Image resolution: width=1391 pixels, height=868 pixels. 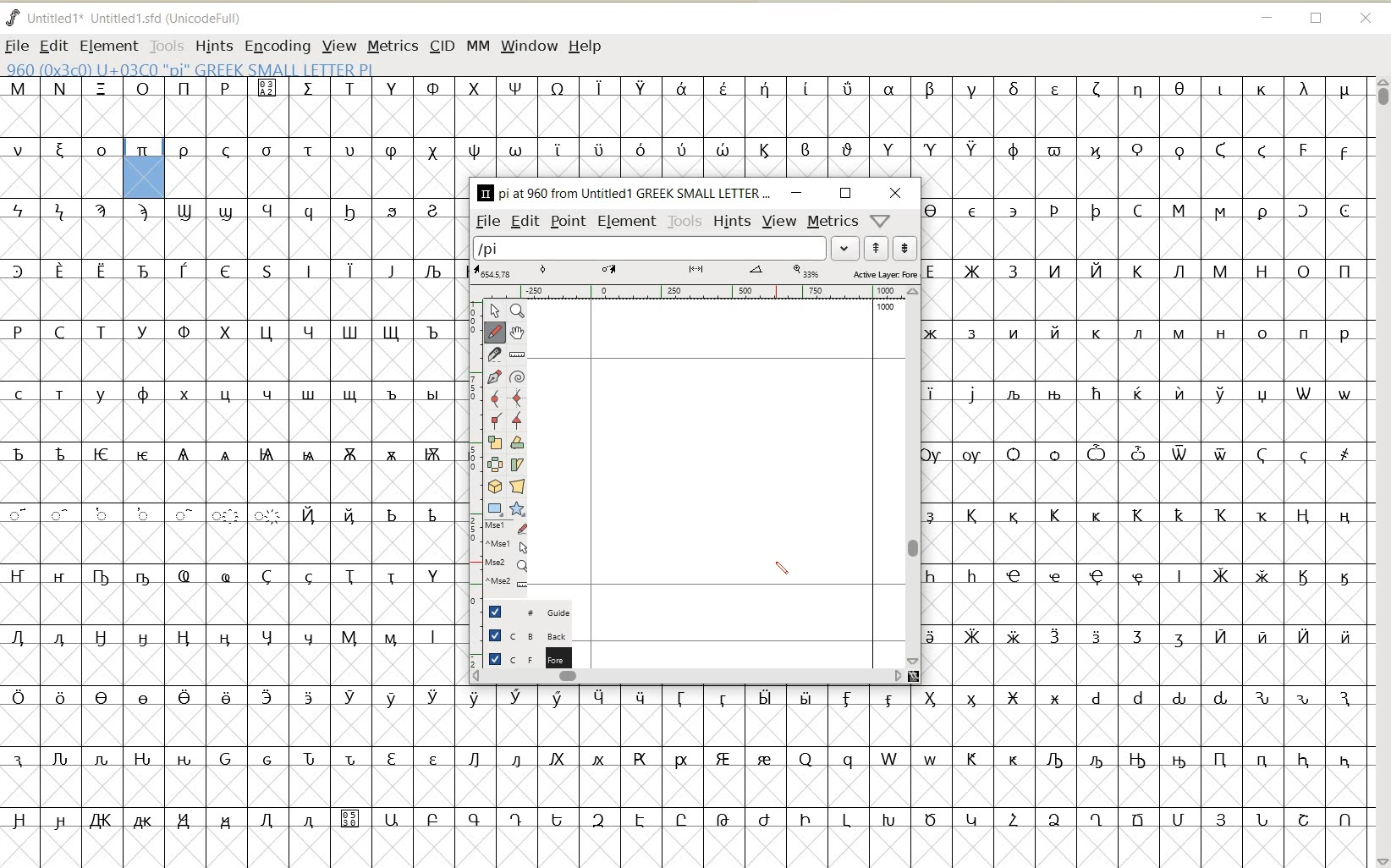 What do you see at coordinates (627, 222) in the screenshot?
I see `ELEMENT` at bounding box center [627, 222].